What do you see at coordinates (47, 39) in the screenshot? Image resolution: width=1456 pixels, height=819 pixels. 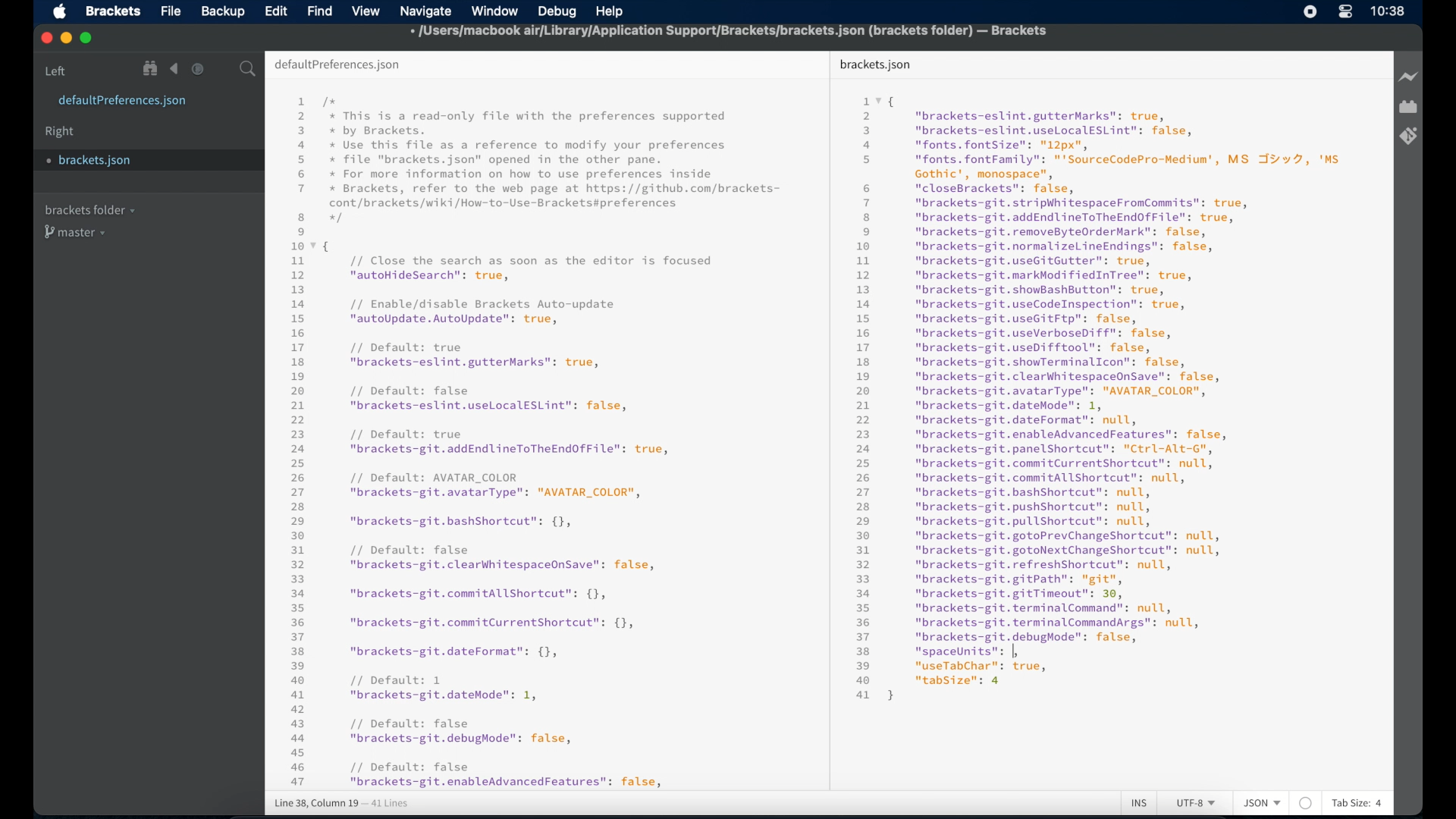 I see `close` at bounding box center [47, 39].